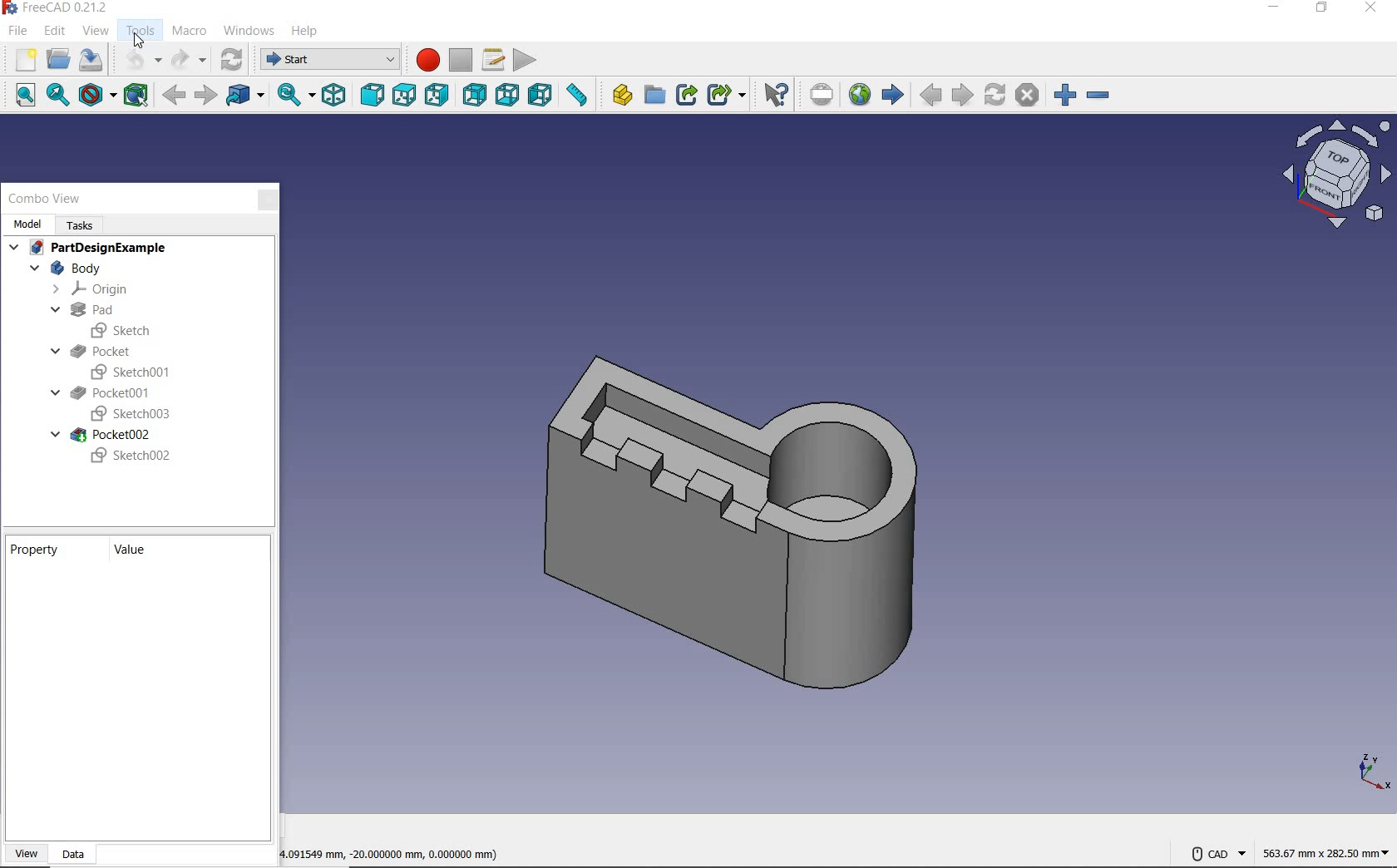 The image size is (1397, 868). I want to click on Origin, so click(92, 289).